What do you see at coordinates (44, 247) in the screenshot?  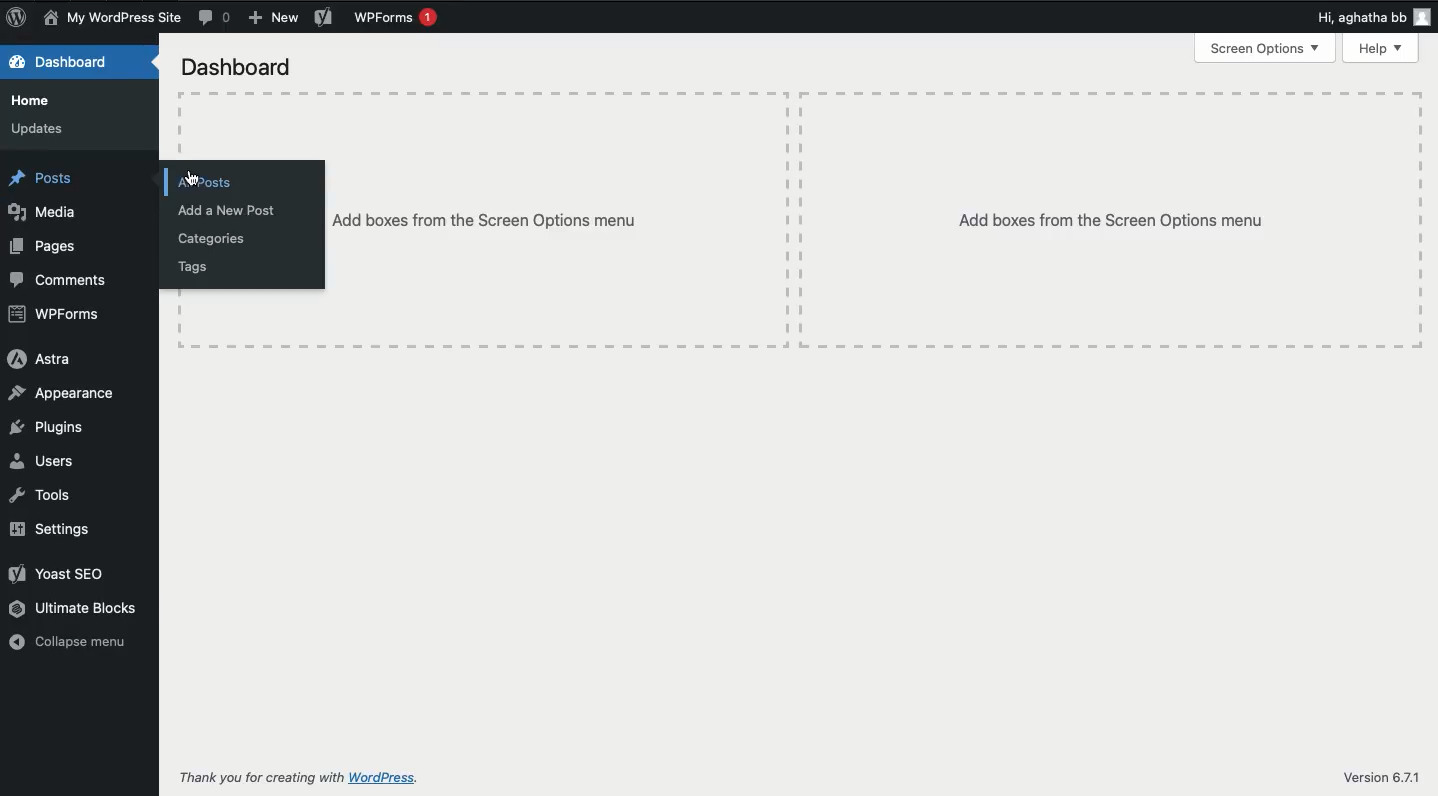 I see `Pages` at bounding box center [44, 247].